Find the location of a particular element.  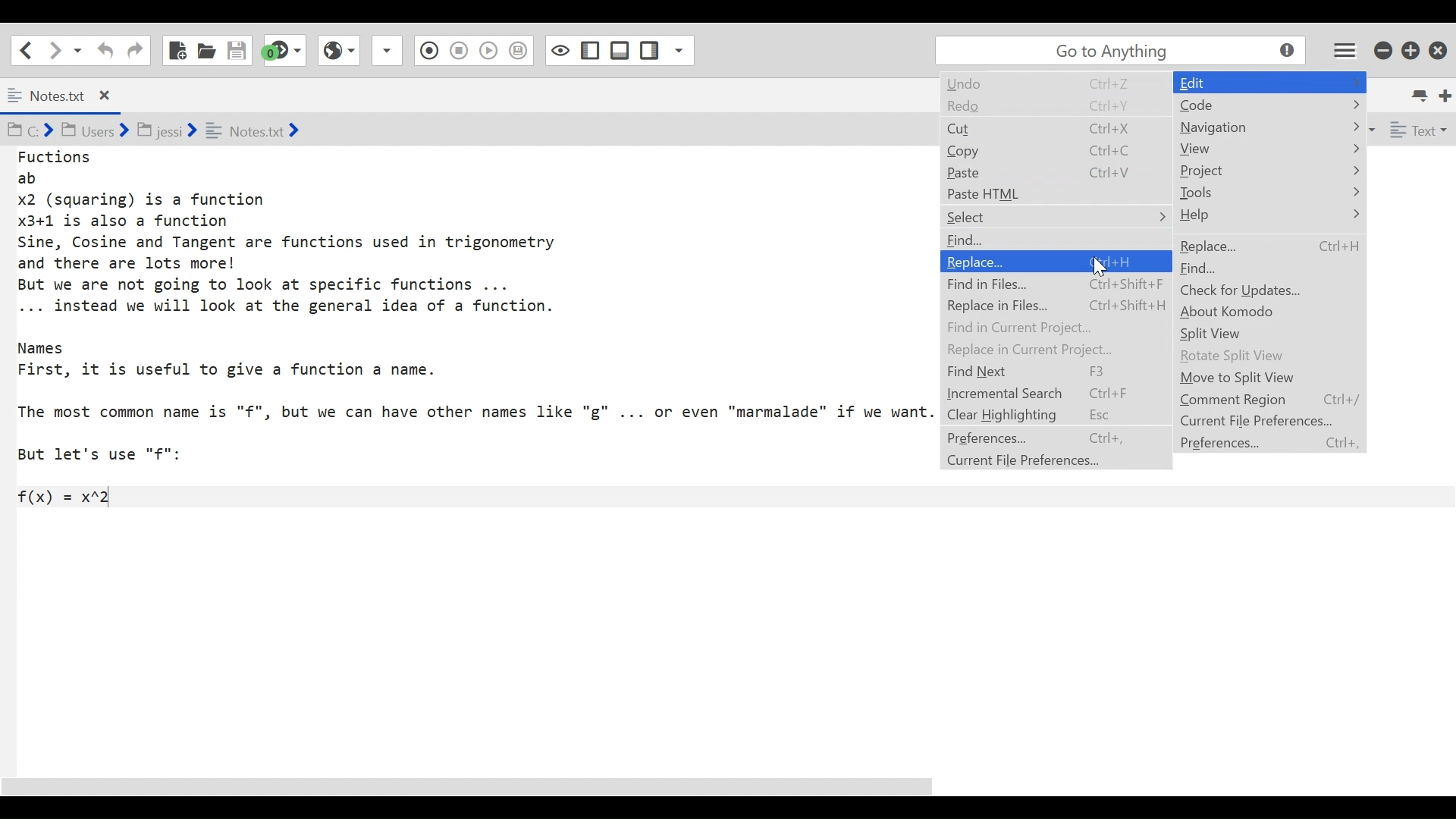

New File is located at coordinates (176, 50).